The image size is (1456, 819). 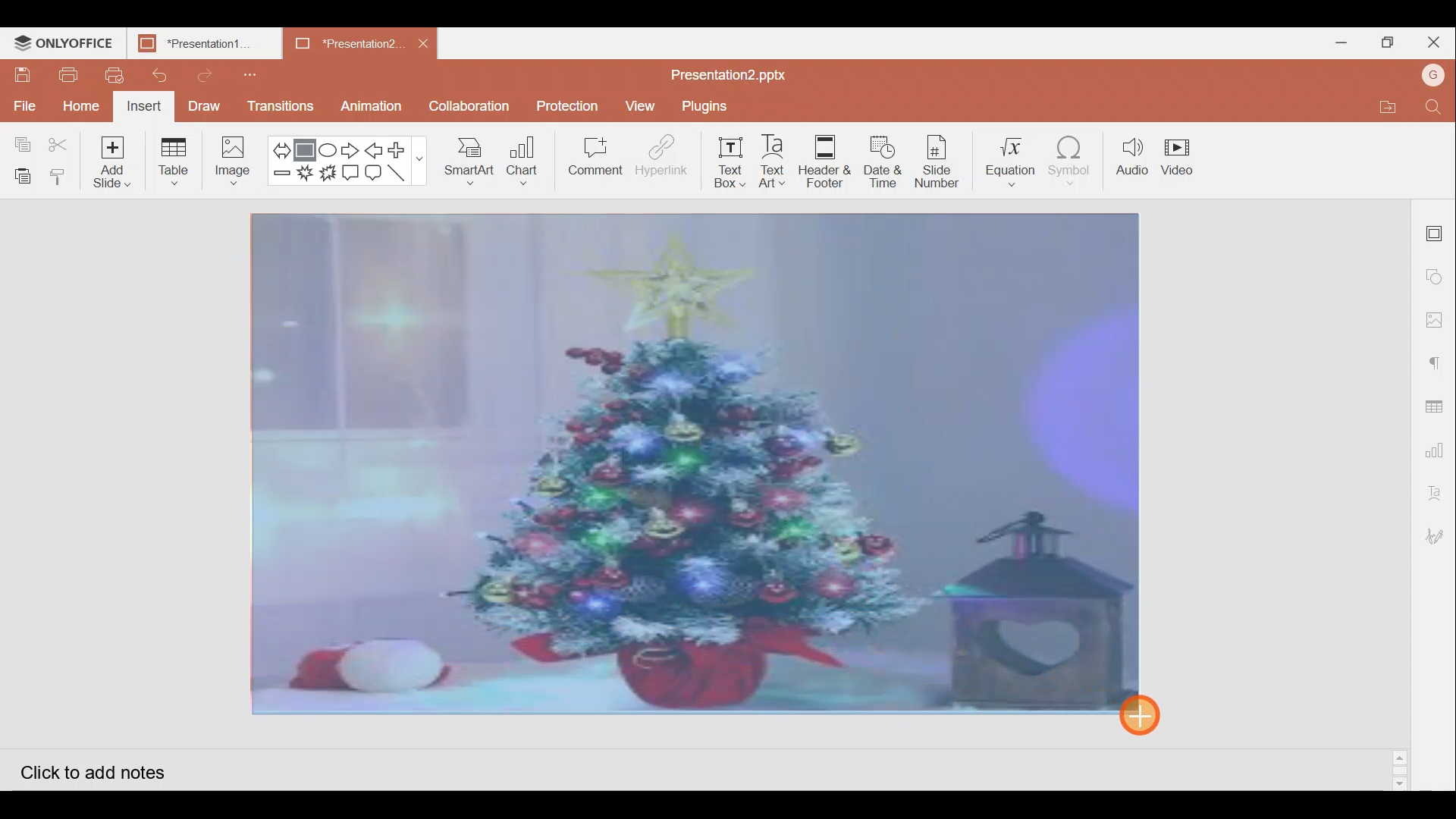 What do you see at coordinates (657, 158) in the screenshot?
I see `Hyperlink` at bounding box center [657, 158].